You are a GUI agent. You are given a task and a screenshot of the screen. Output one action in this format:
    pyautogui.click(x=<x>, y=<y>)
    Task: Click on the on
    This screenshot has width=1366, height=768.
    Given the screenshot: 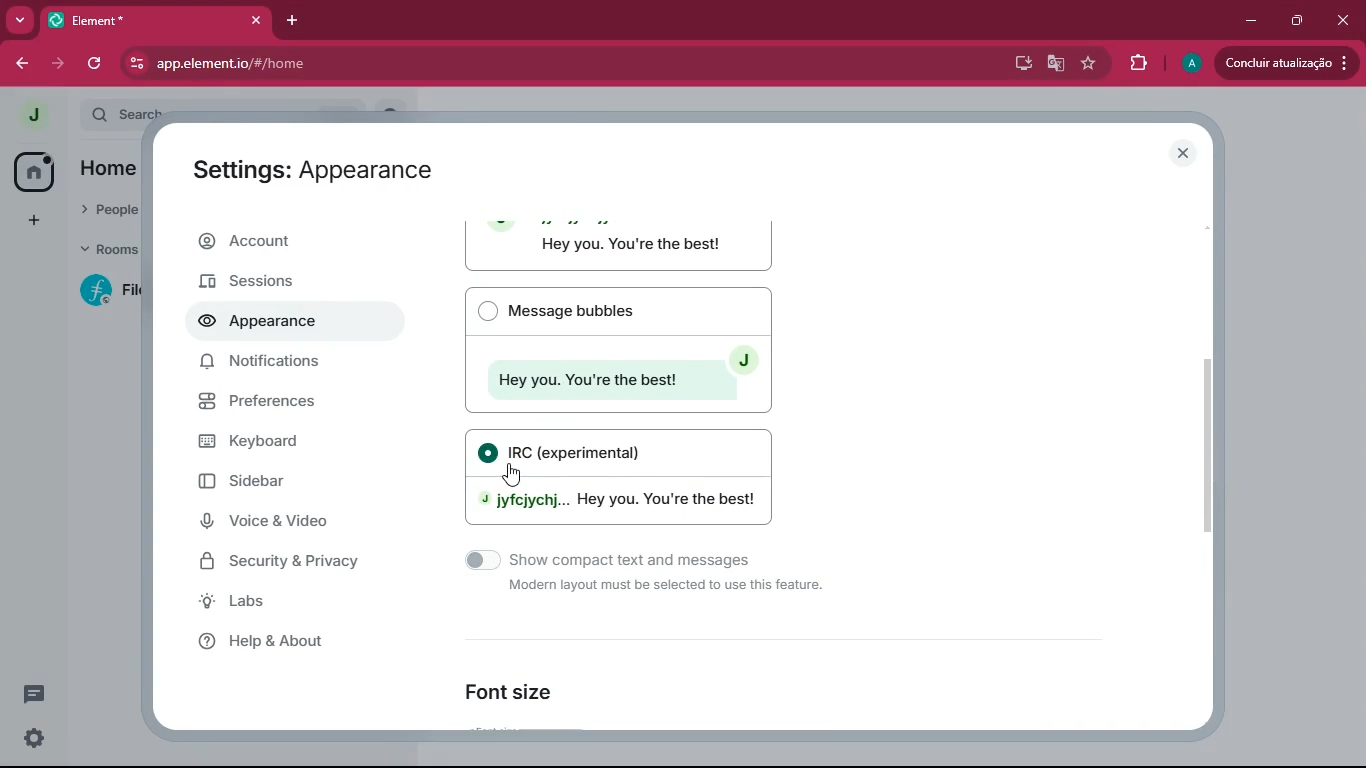 What is the action you would take?
    pyautogui.click(x=487, y=452)
    